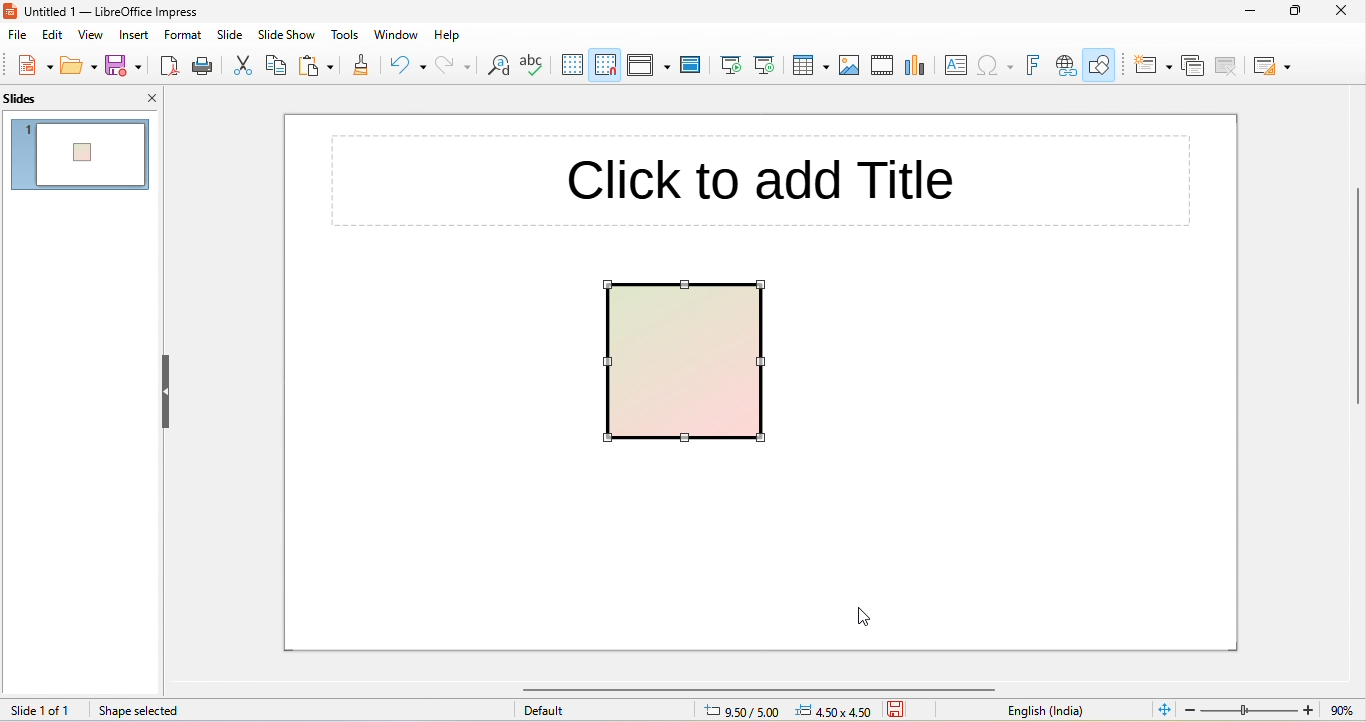 The width and height of the screenshot is (1366, 722). What do you see at coordinates (916, 67) in the screenshot?
I see `chart` at bounding box center [916, 67].